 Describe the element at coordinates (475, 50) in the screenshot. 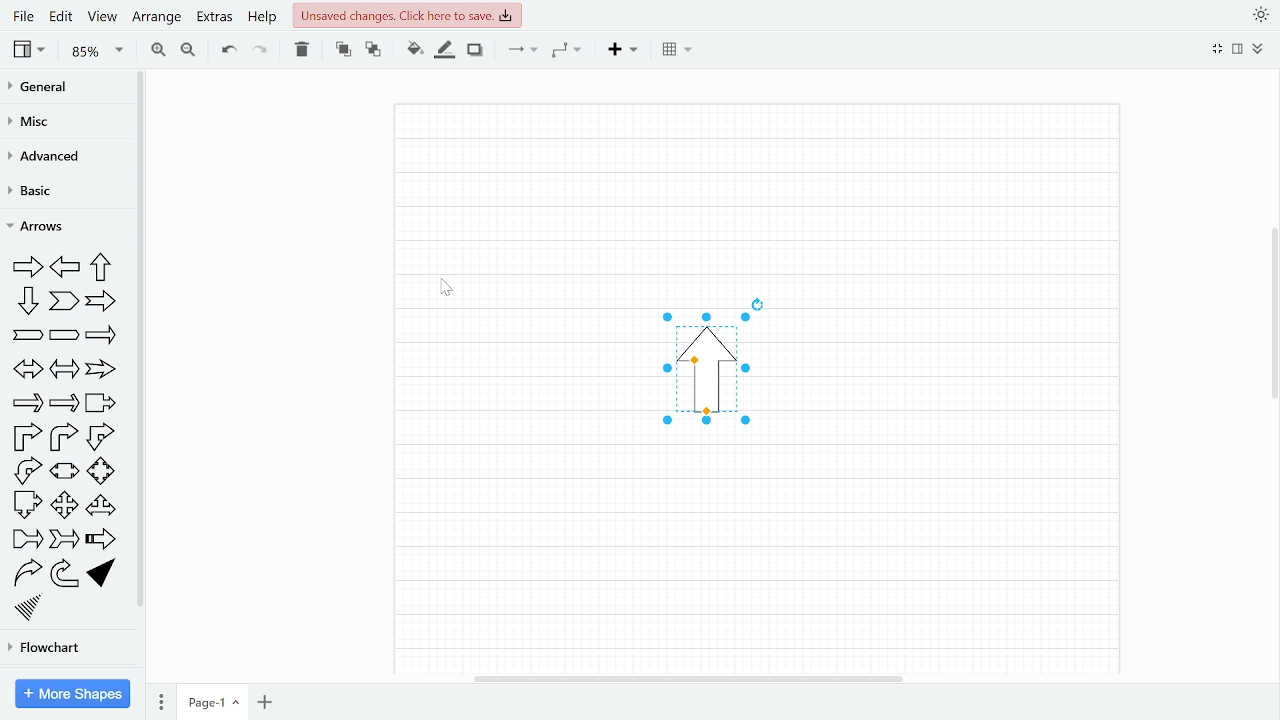

I see `Shadow` at that location.